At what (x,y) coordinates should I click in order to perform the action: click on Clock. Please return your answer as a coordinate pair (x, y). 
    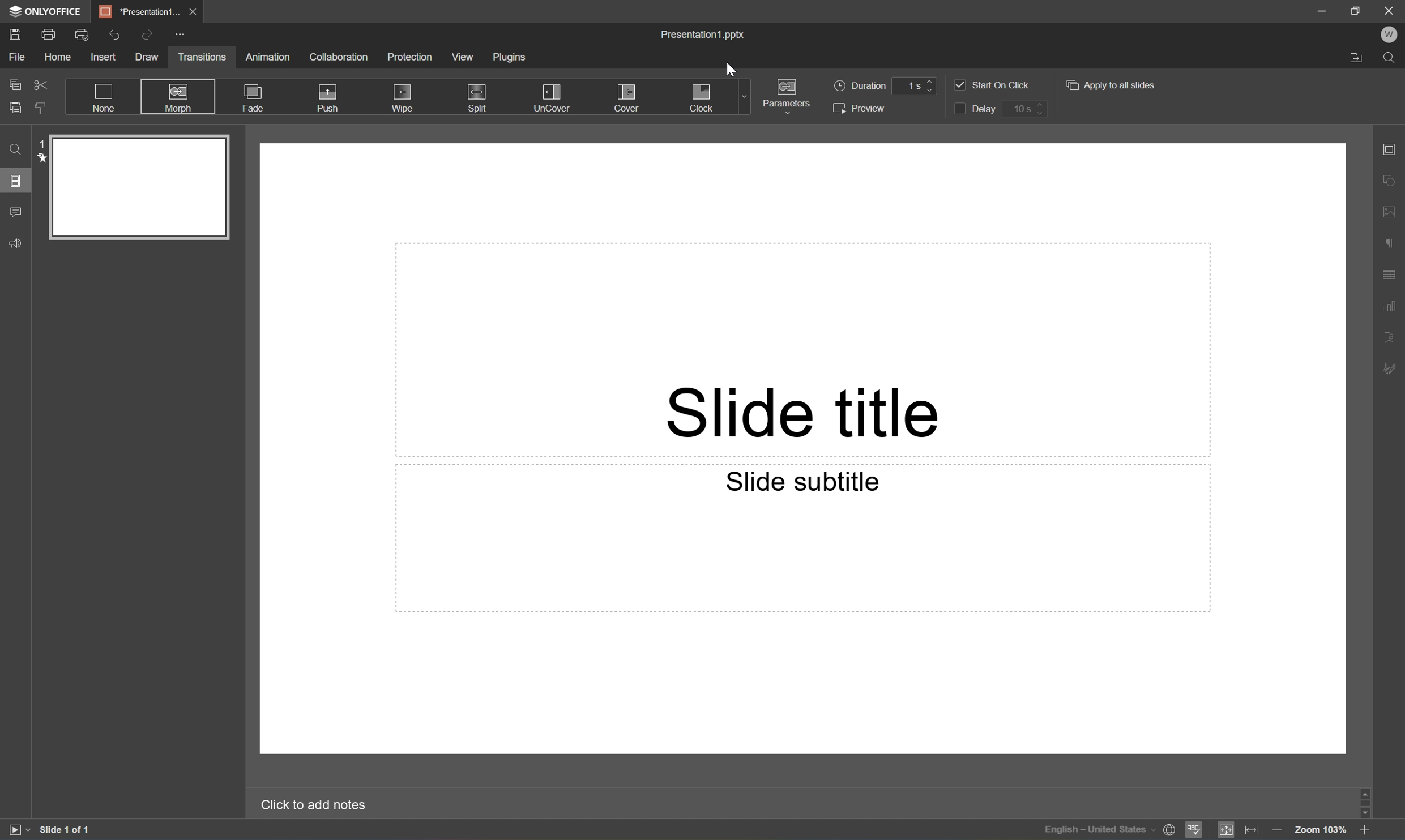
    Looking at the image, I should click on (703, 97).